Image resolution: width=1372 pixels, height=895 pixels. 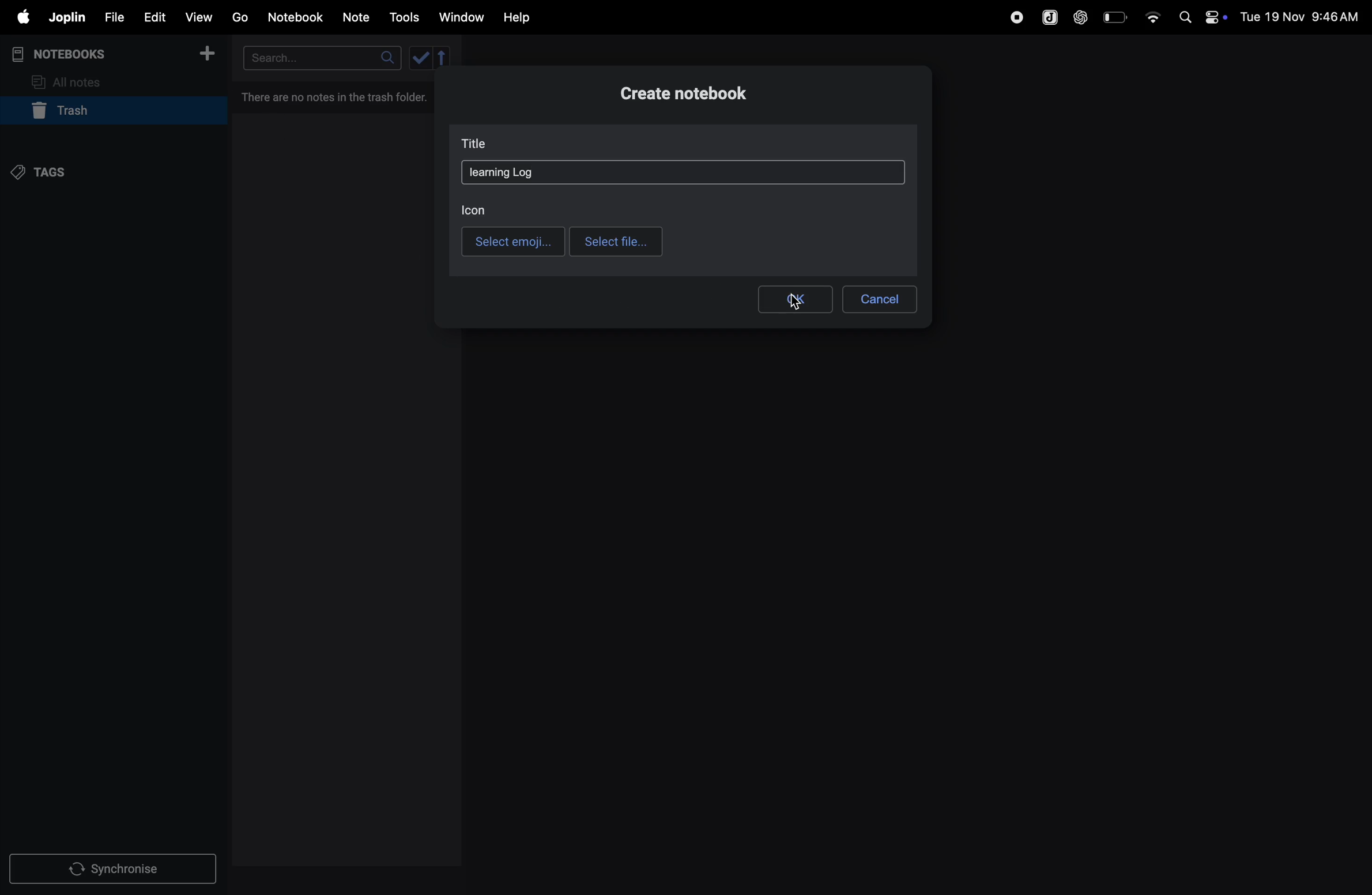 What do you see at coordinates (791, 307) in the screenshot?
I see `cursor` at bounding box center [791, 307].